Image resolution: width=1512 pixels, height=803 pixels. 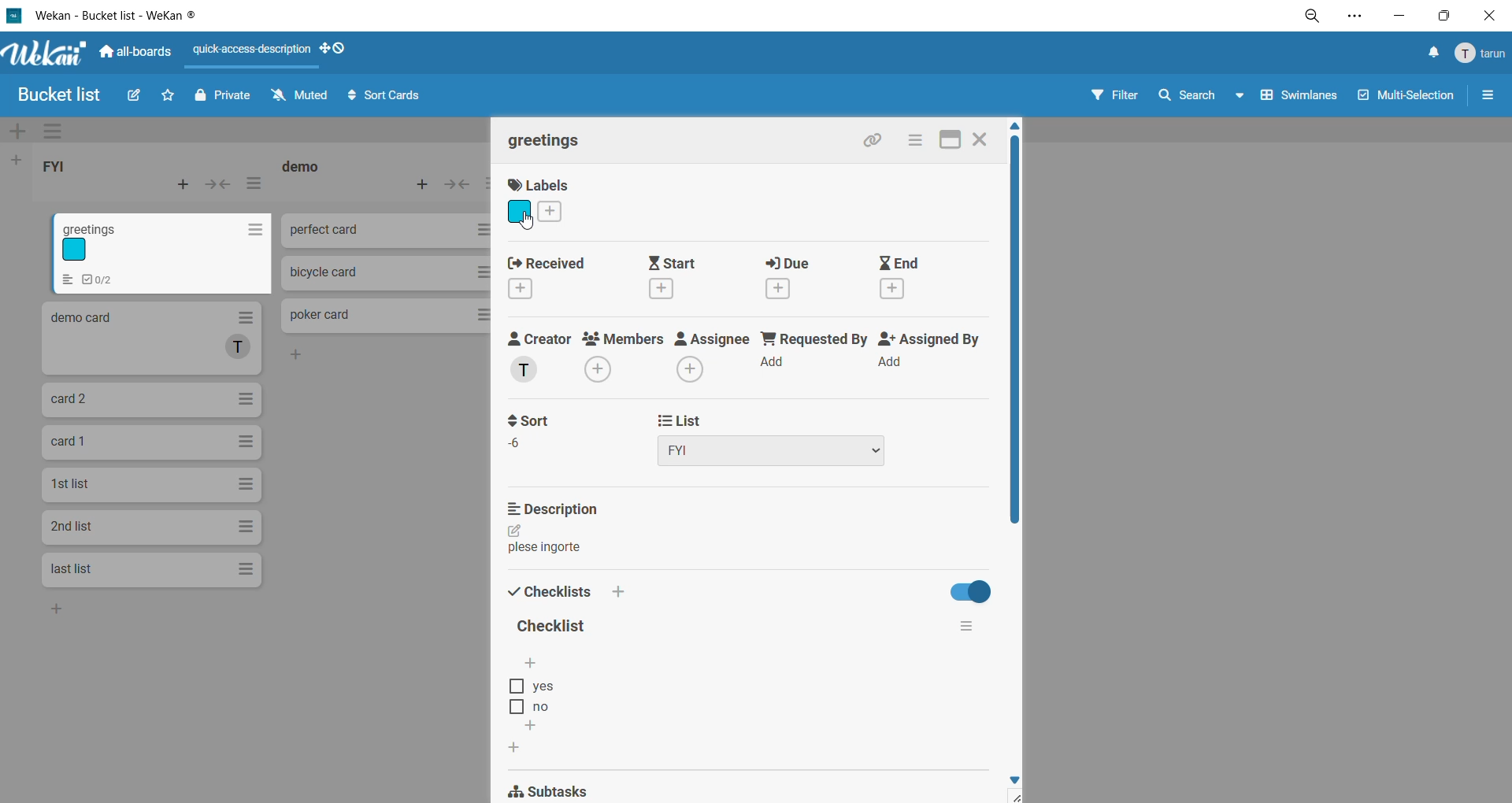 What do you see at coordinates (543, 202) in the screenshot?
I see `labels` at bounding box center [543, 202].